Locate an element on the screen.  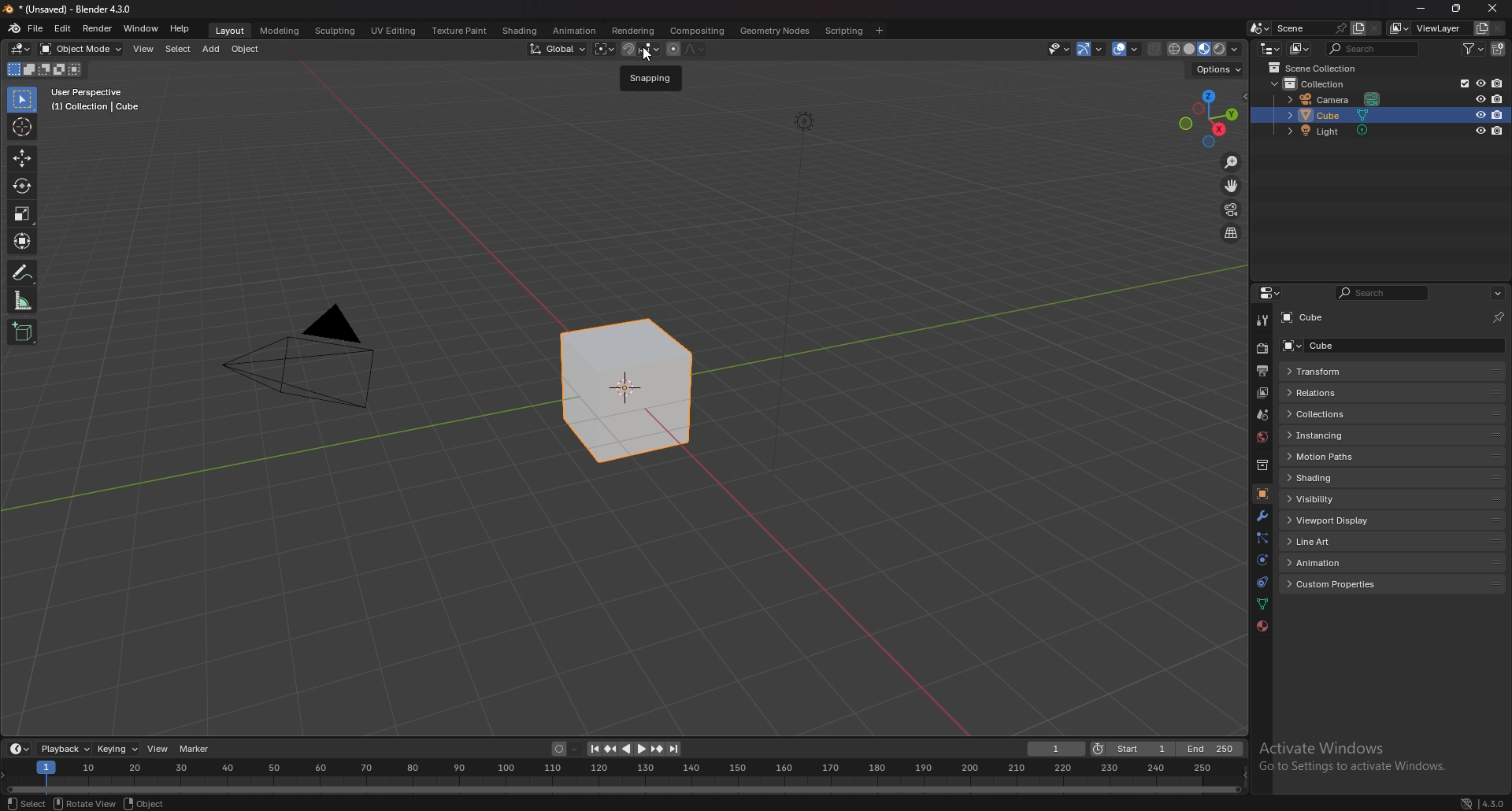
view is located at coordinates (159, 750).